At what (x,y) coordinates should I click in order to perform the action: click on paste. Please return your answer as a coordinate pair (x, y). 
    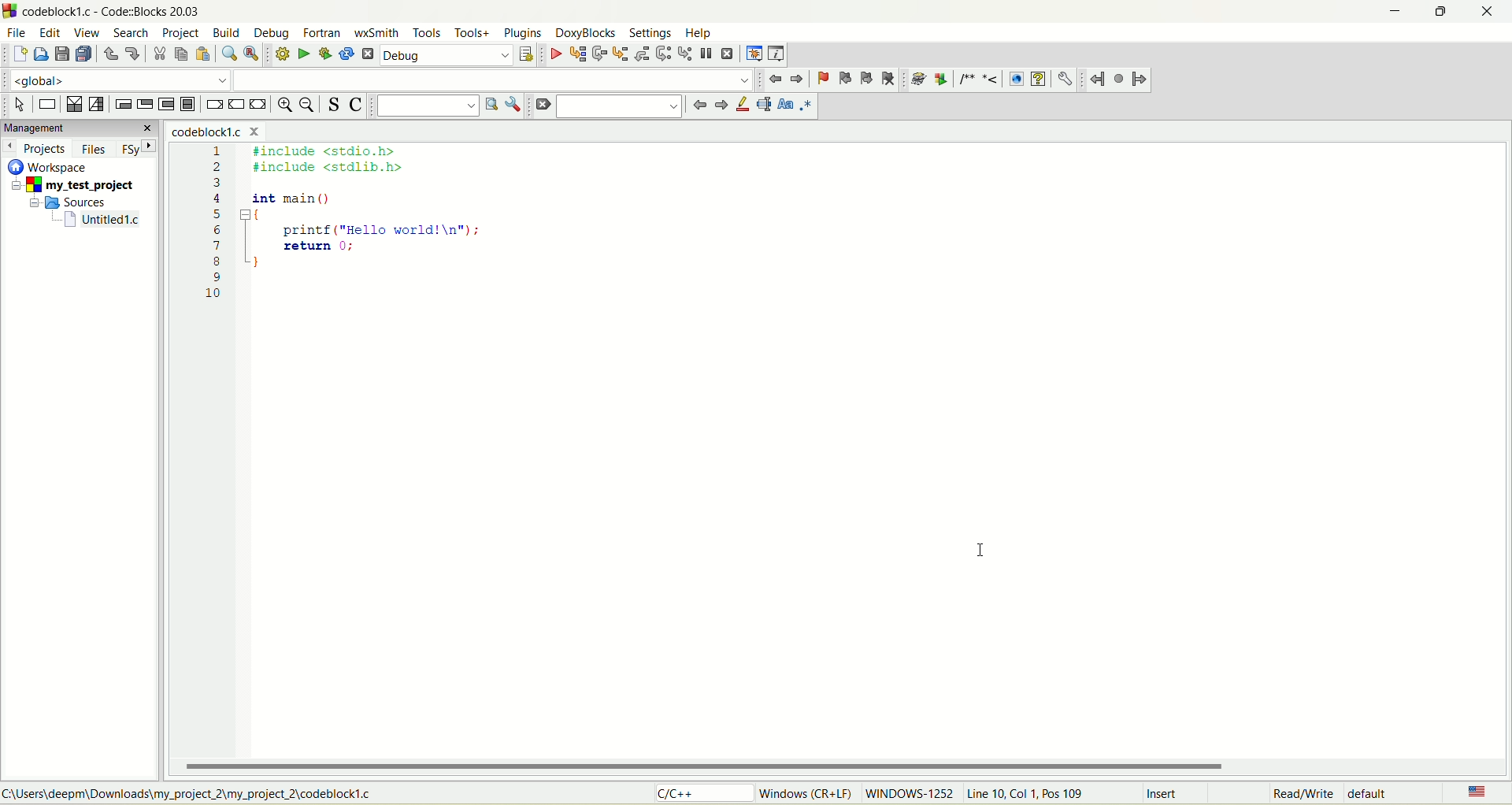
    Looking at the image, I should click on (202, 54).